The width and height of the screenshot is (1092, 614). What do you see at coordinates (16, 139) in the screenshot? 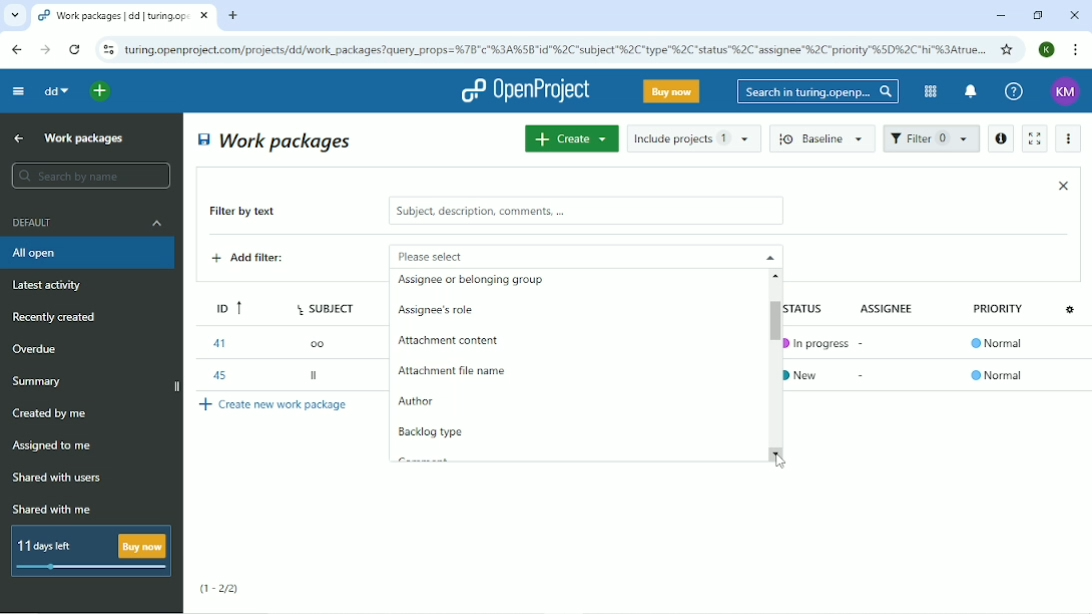
I see `Up` at bounding box center [16, 139].